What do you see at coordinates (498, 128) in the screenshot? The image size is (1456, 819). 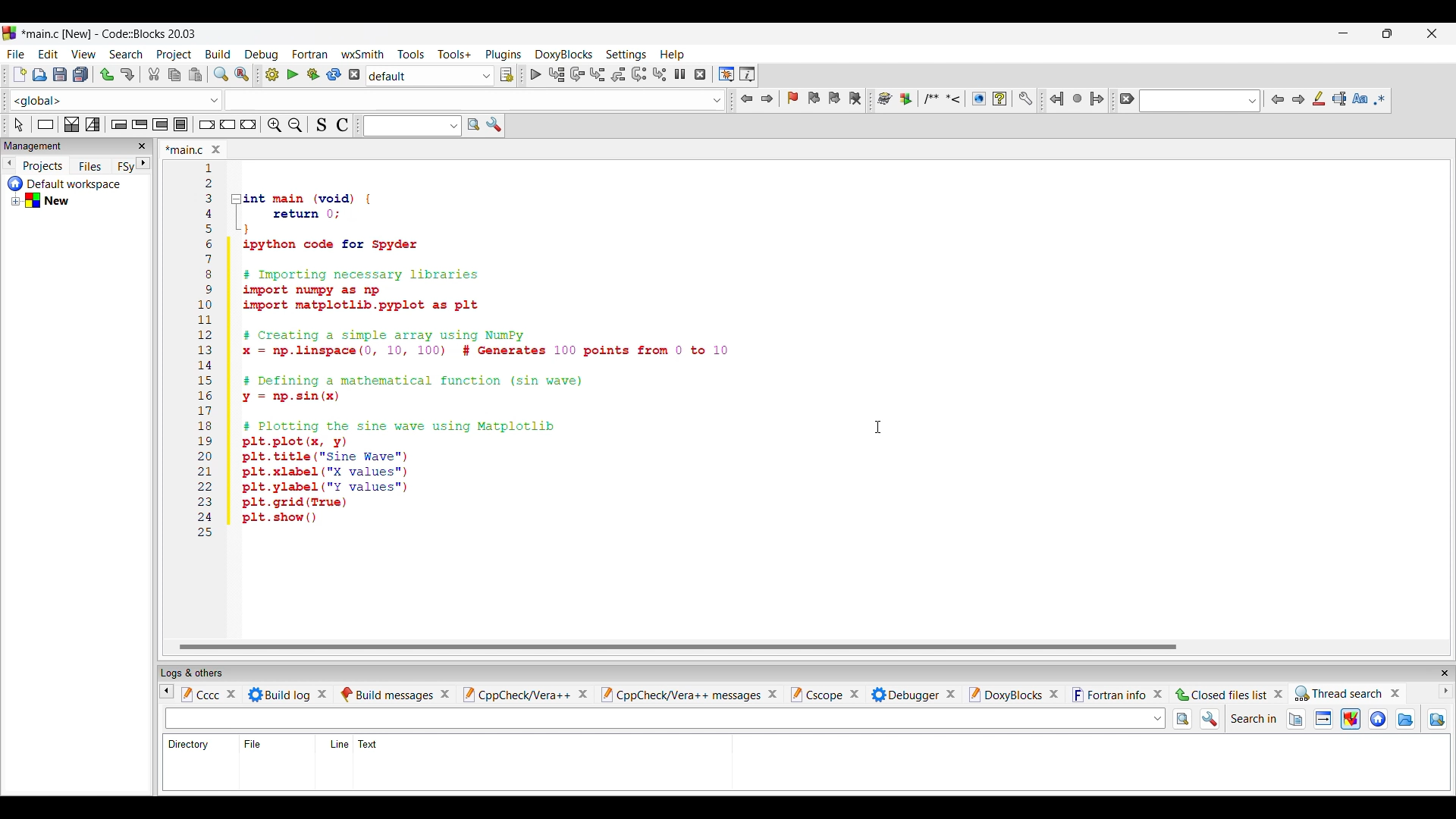 I see `show options windiw` at bounding box center [498, 128].